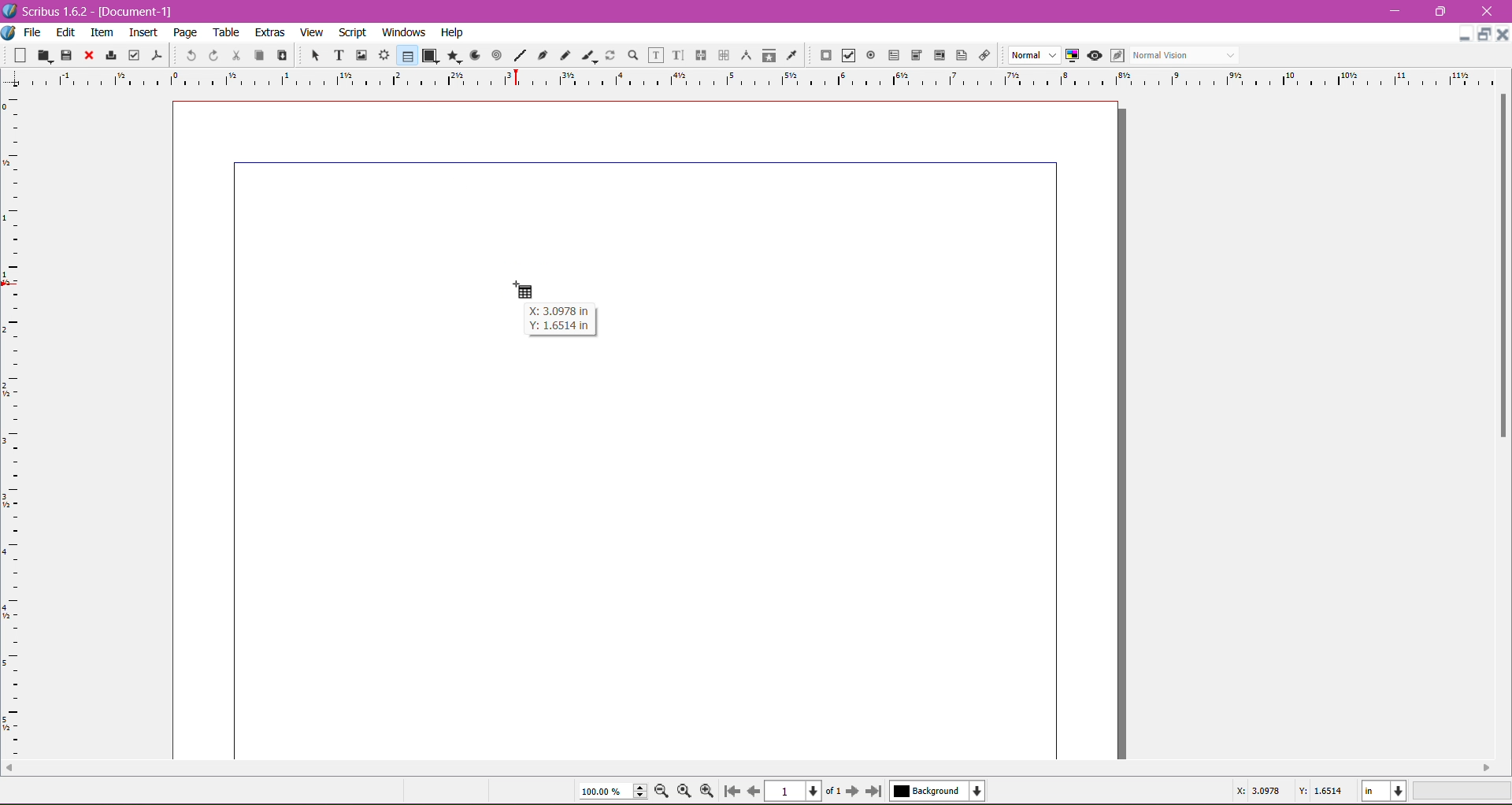  Describe the element at coordinates (541, 54) in the screenshot. I see `Bezier Curve` at that location.